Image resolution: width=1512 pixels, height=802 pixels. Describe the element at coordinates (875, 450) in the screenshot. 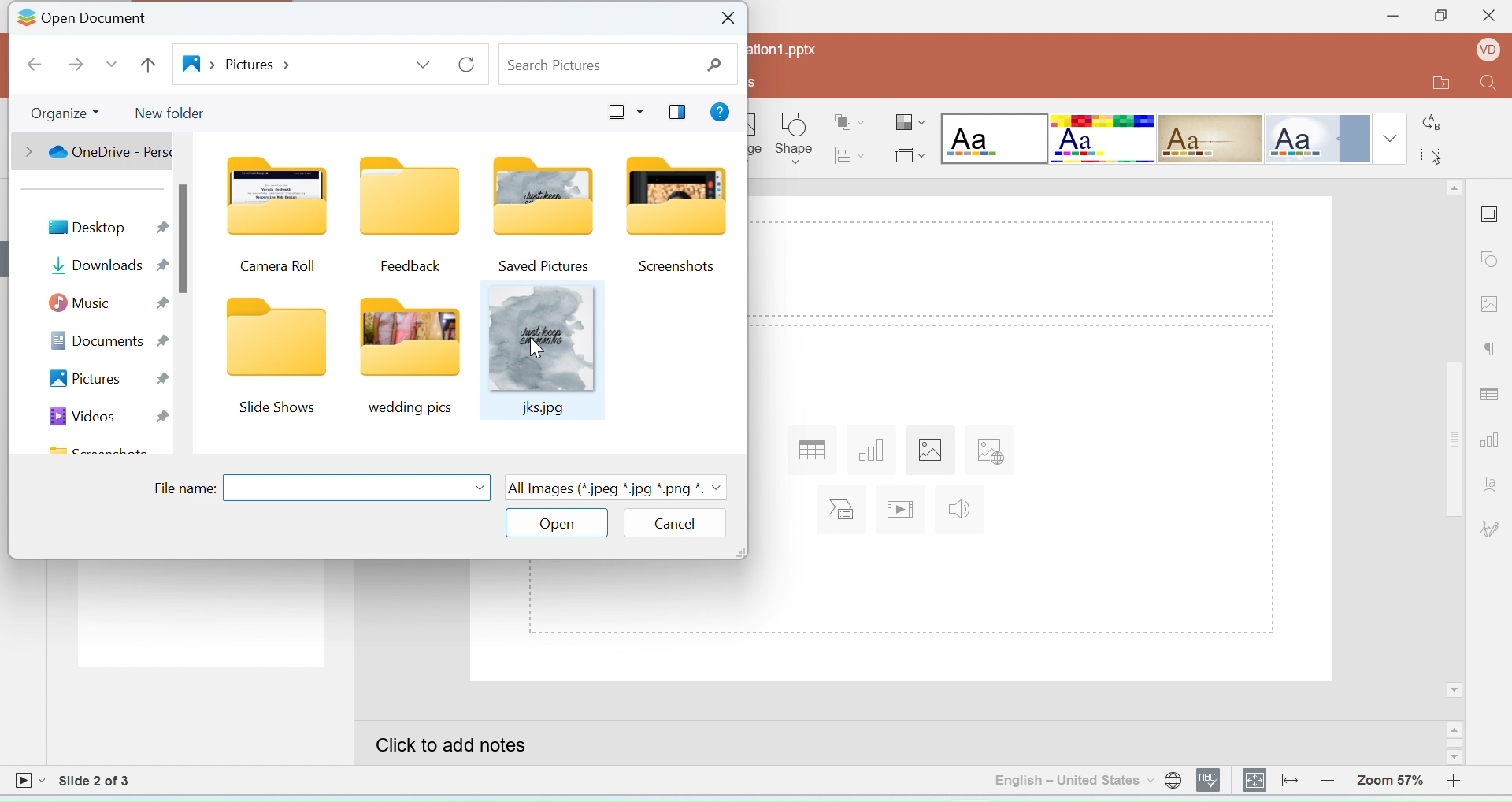

I see `insert chart` at that location.